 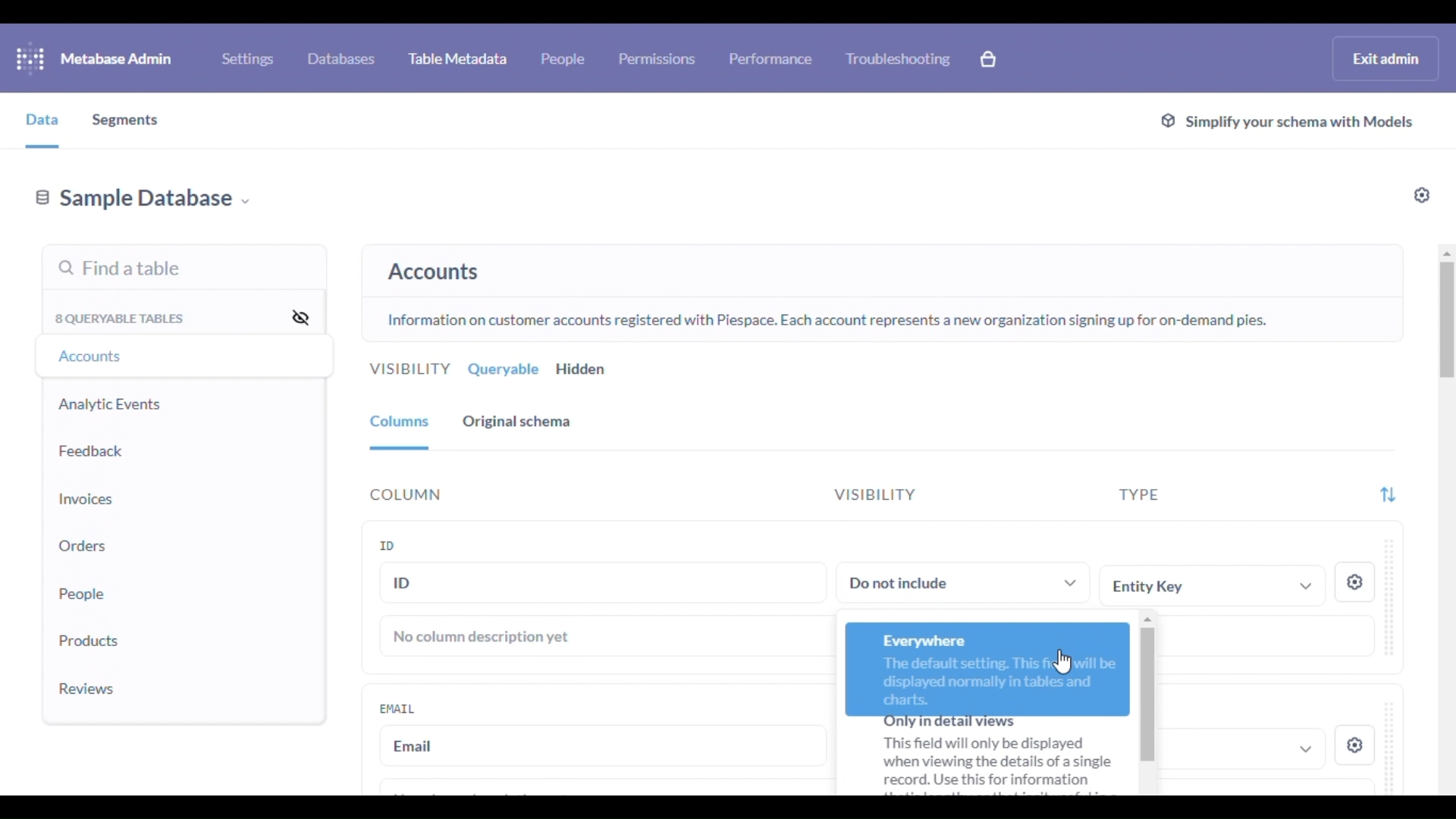 What do you see at coordinates (1286, 123) in the screenshot?
I see `simplify your schema with models` at bounding box center [1286, 123].